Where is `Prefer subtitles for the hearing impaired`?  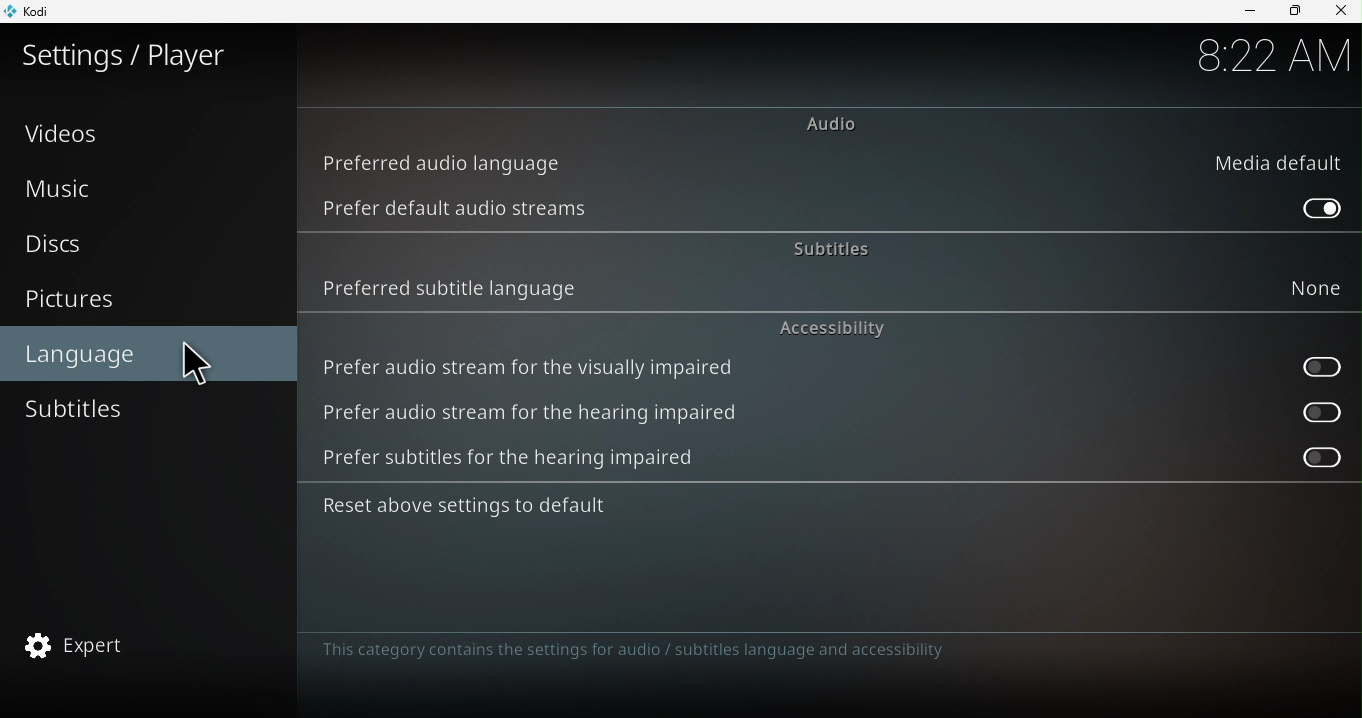 Prefer subtitles for the hearing impaired is located at coordinates (1304, 458).